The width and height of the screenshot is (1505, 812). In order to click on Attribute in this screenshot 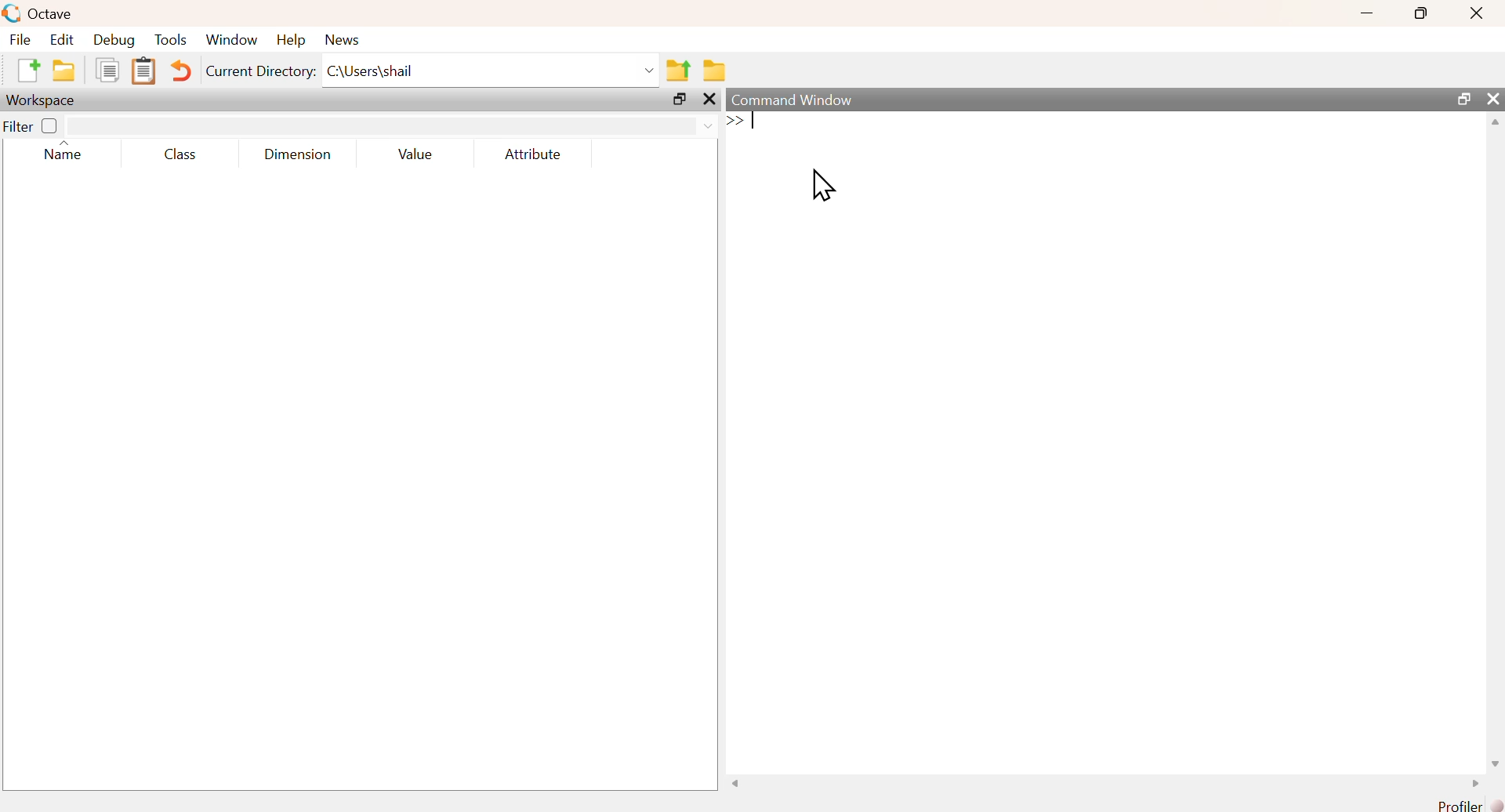, I will do `click(534, 154)`.